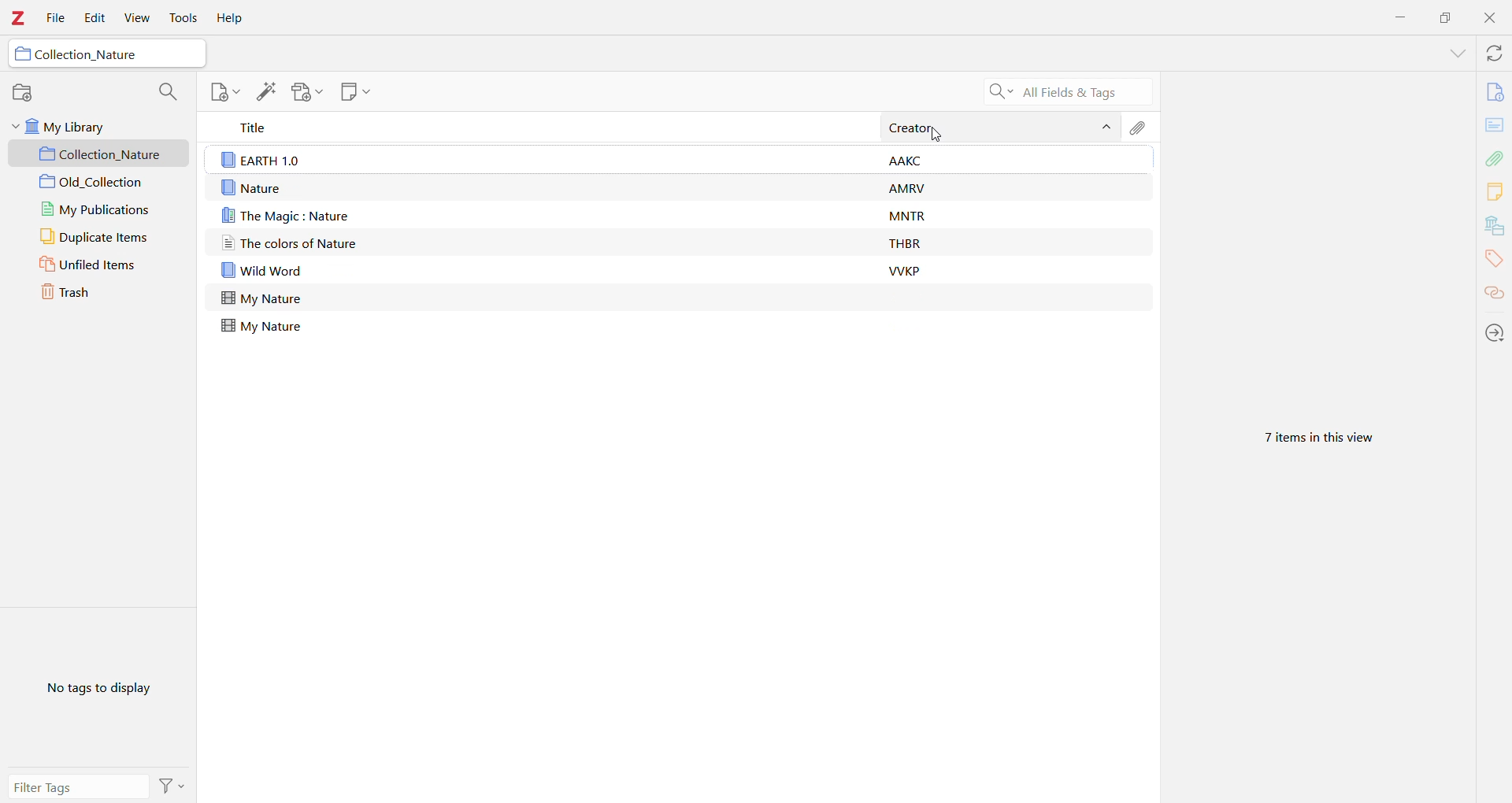 The width and height of the screenshot is (1512, 803). I want to click on Tools, so click(182, 20).